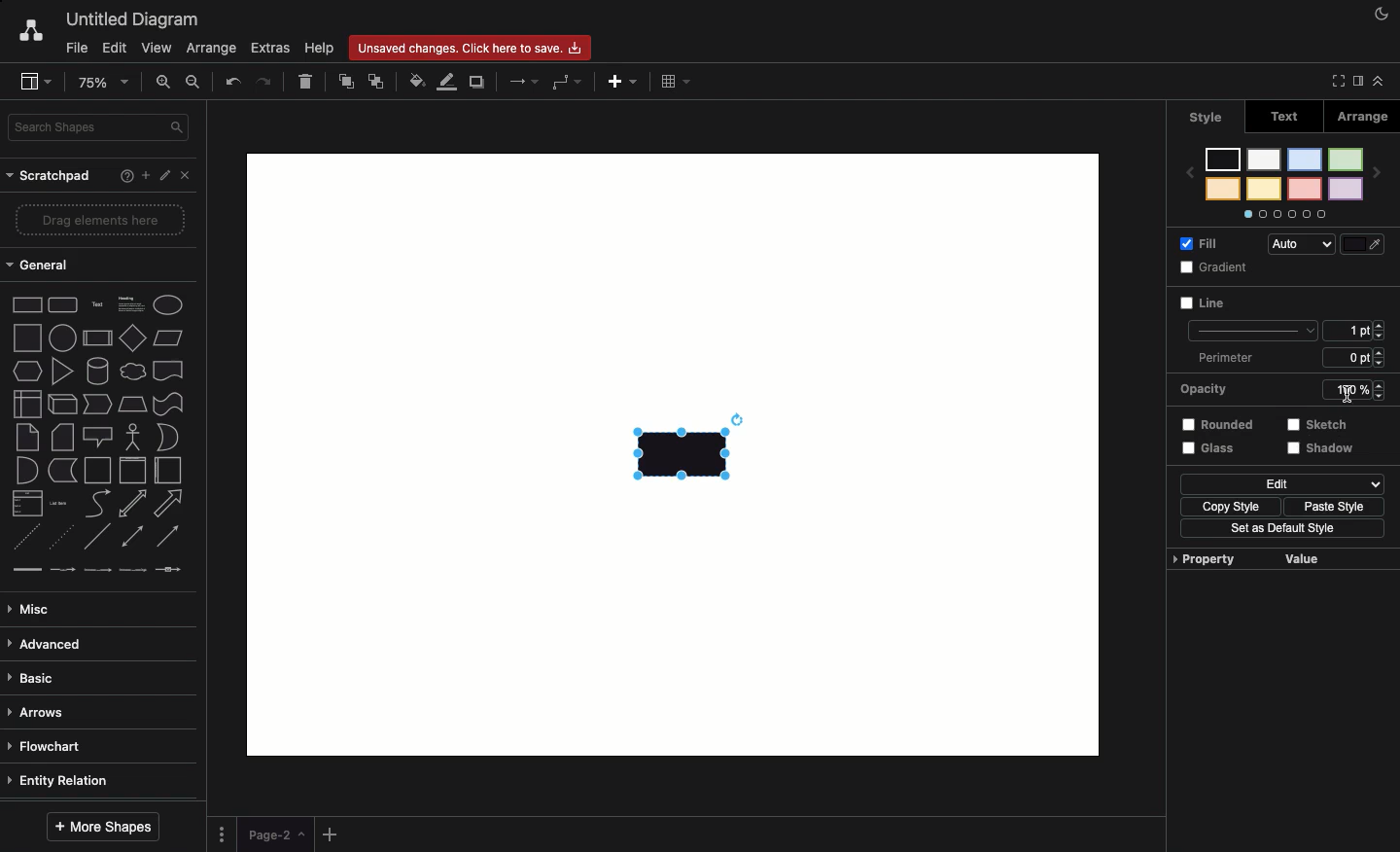  Describe the element at coordinates (168, 304) in the screenshot. I see `Eclipse` at that location.